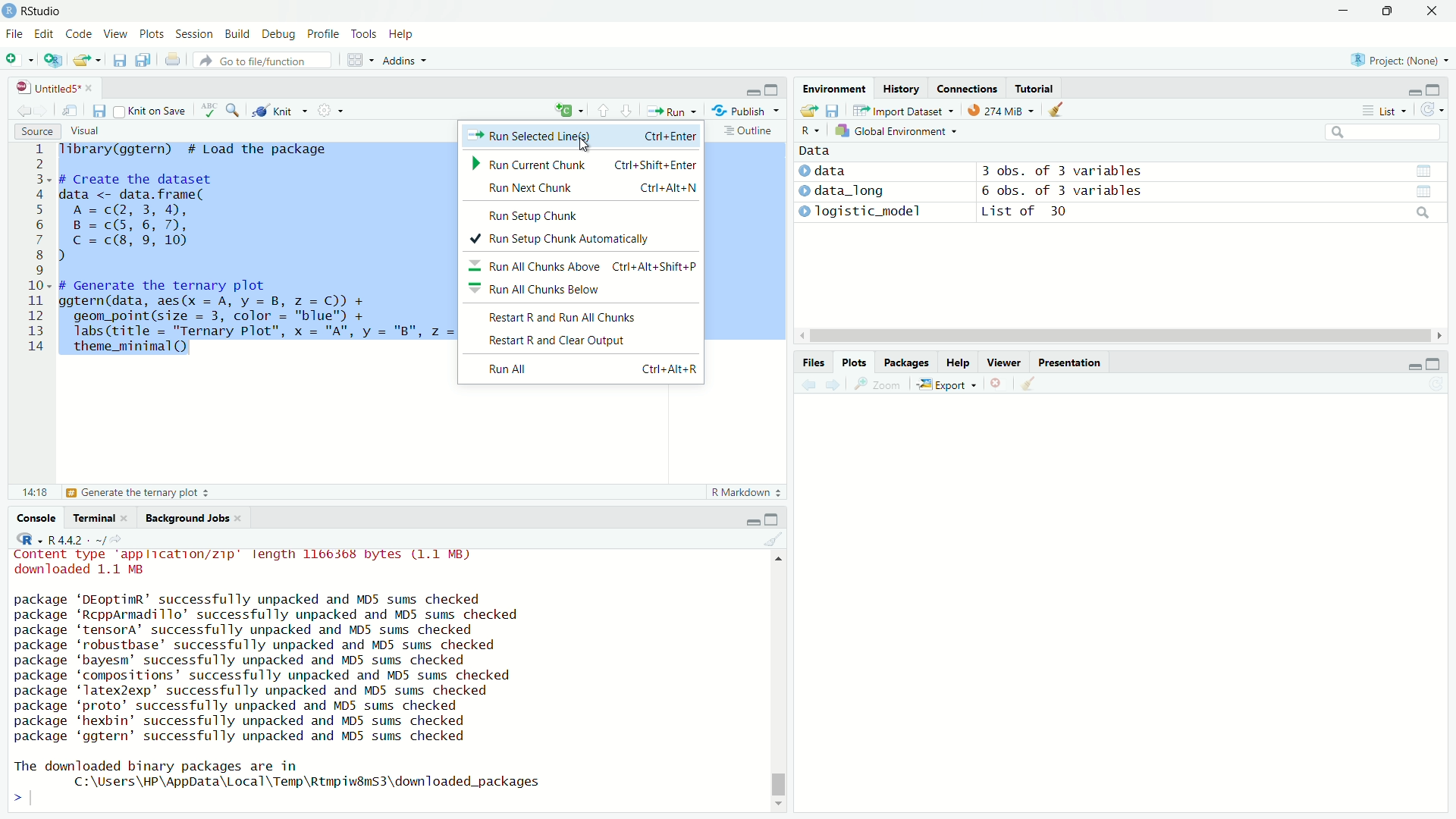  Describe the element at coordinates (1432, 365) in the screenshot. I see `maximise` at that location.